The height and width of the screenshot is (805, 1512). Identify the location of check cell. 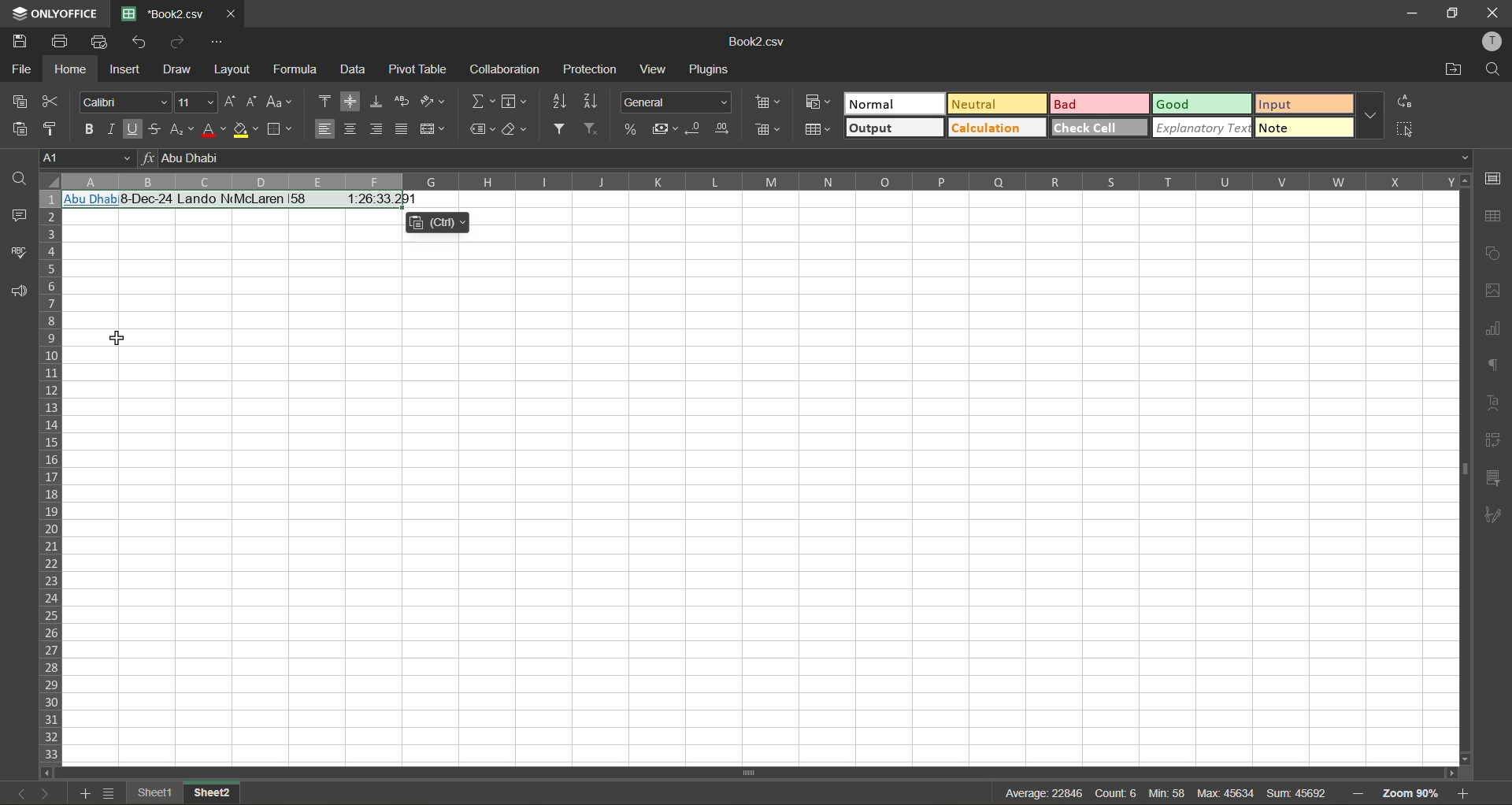
(1099, 128).